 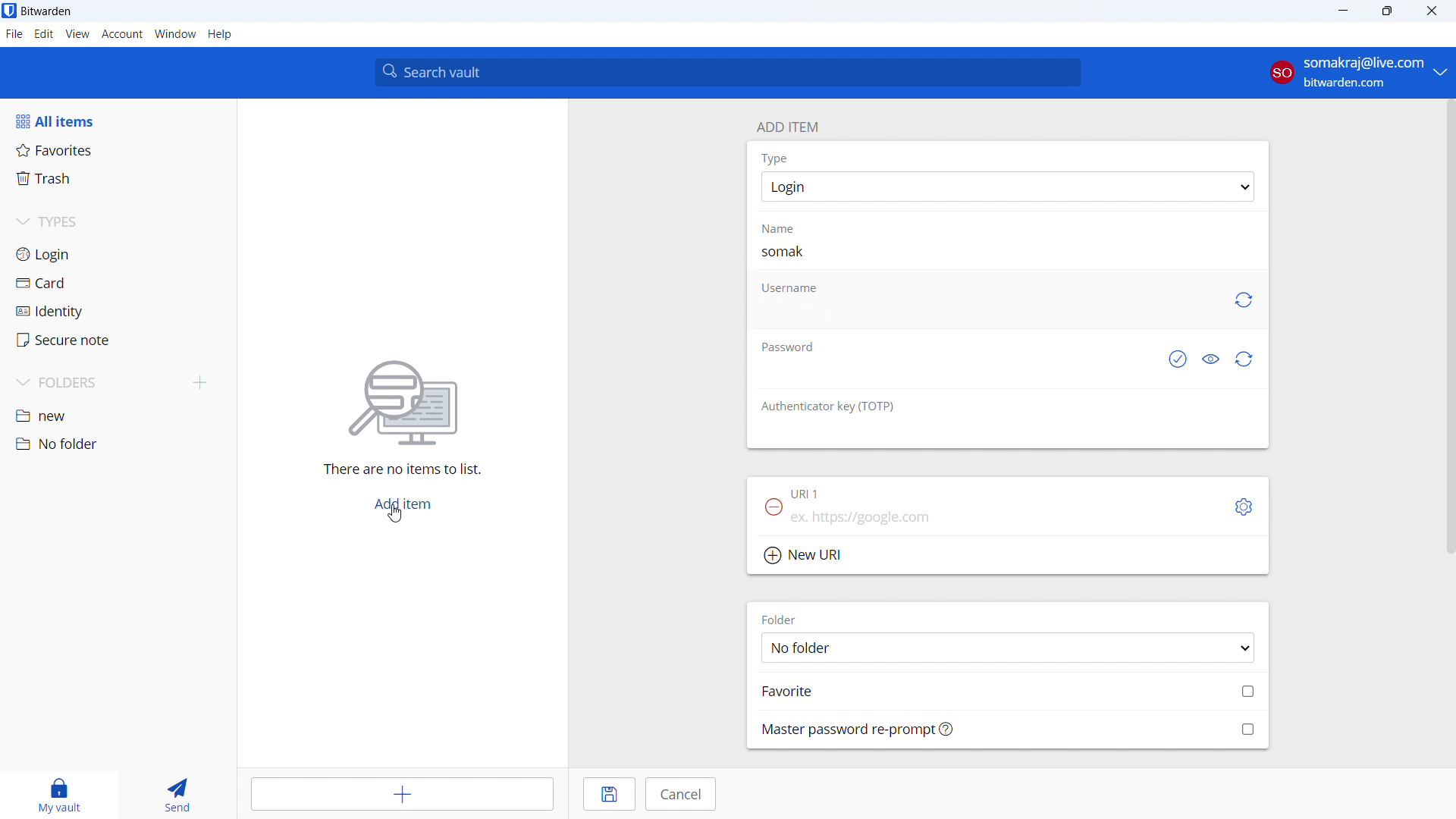 What do you see at coordinates (774, 158) in the screenshot?
I see `Type` at bounding box center [774, 158].